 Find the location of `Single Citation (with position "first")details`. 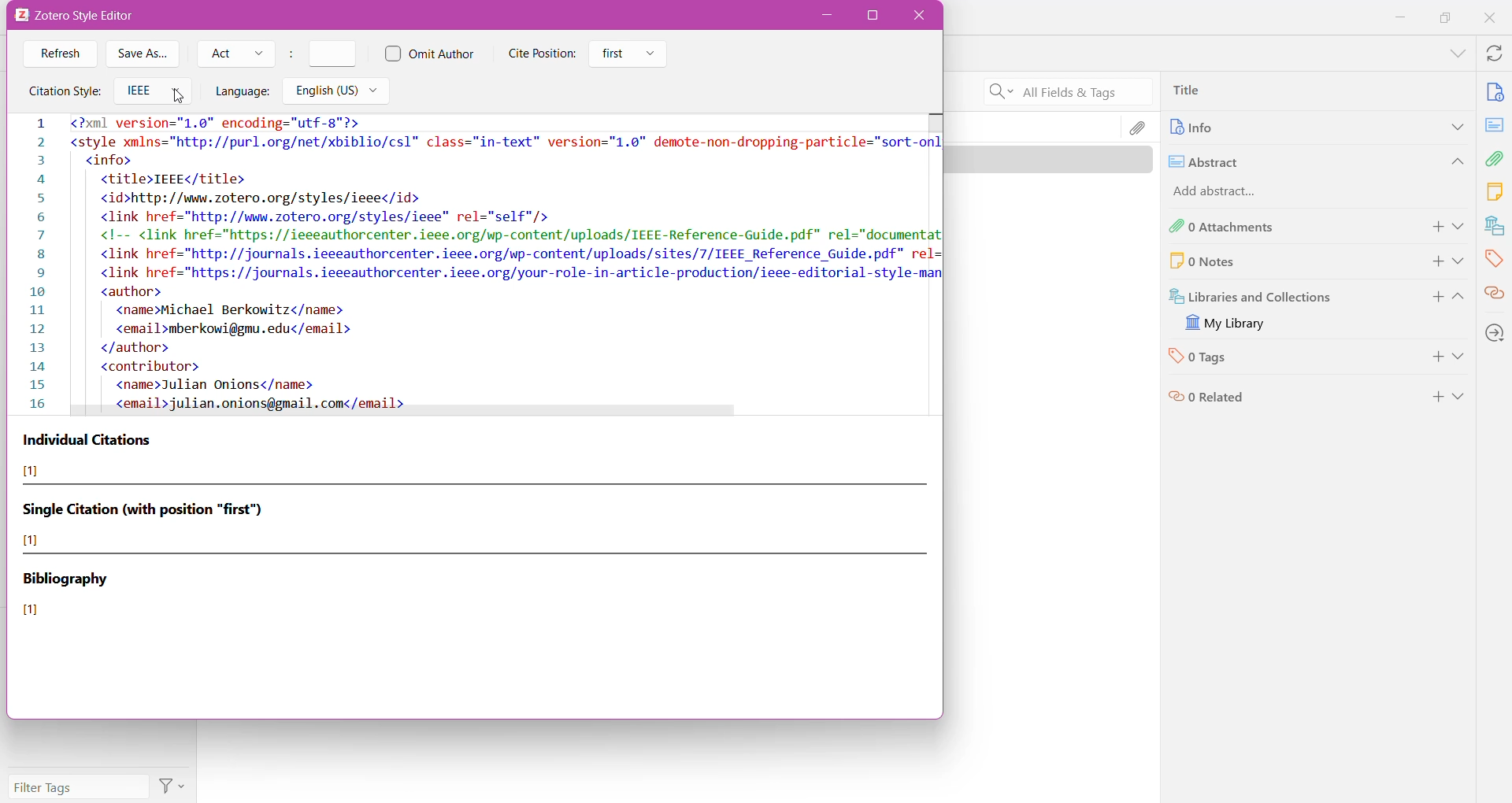

Single Citation (with position "first")details is located at coordinates (154, 524).